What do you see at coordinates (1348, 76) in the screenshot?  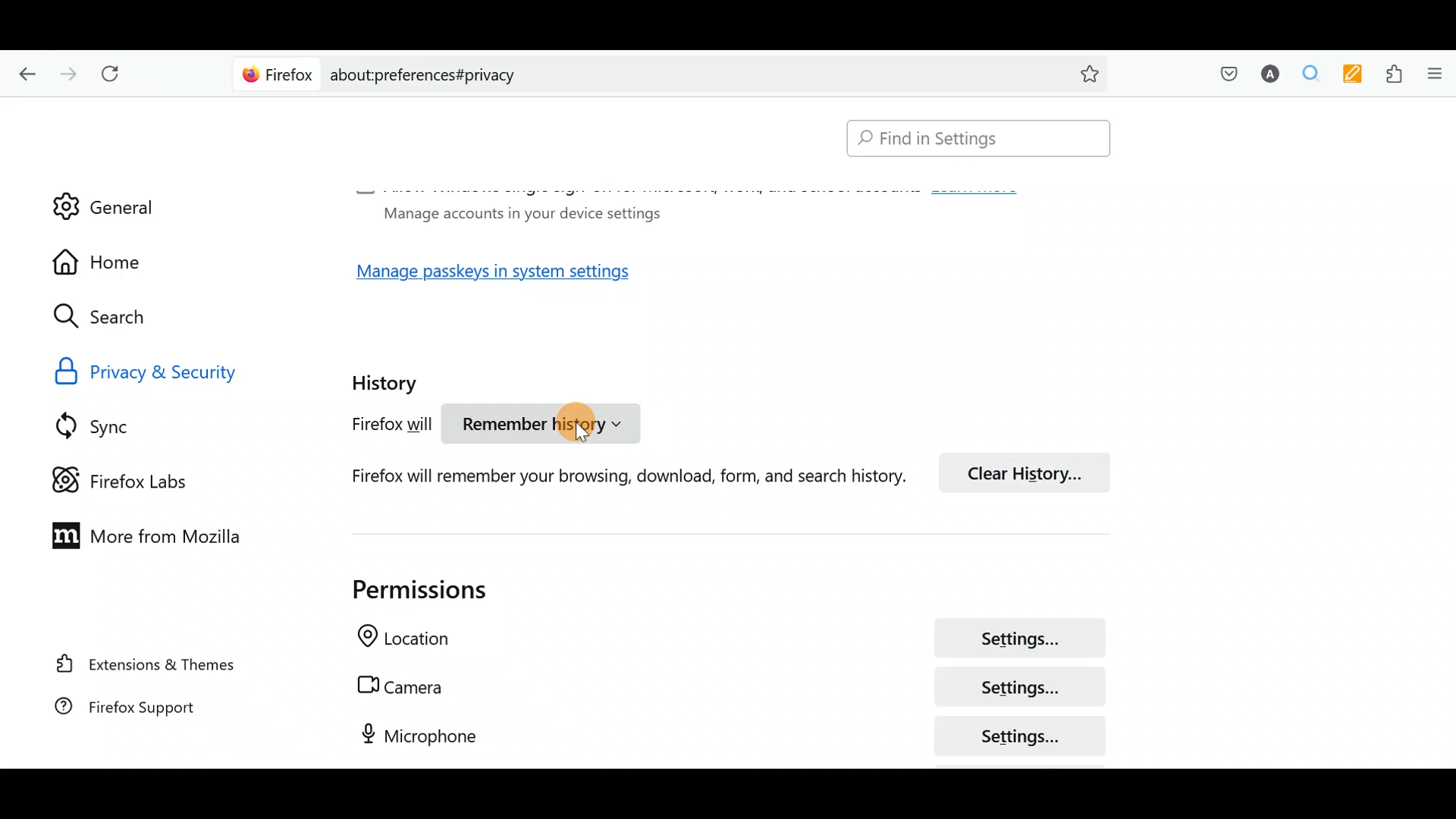 I see `Multi keywords highlighter` at bounding box center [1348, 76].